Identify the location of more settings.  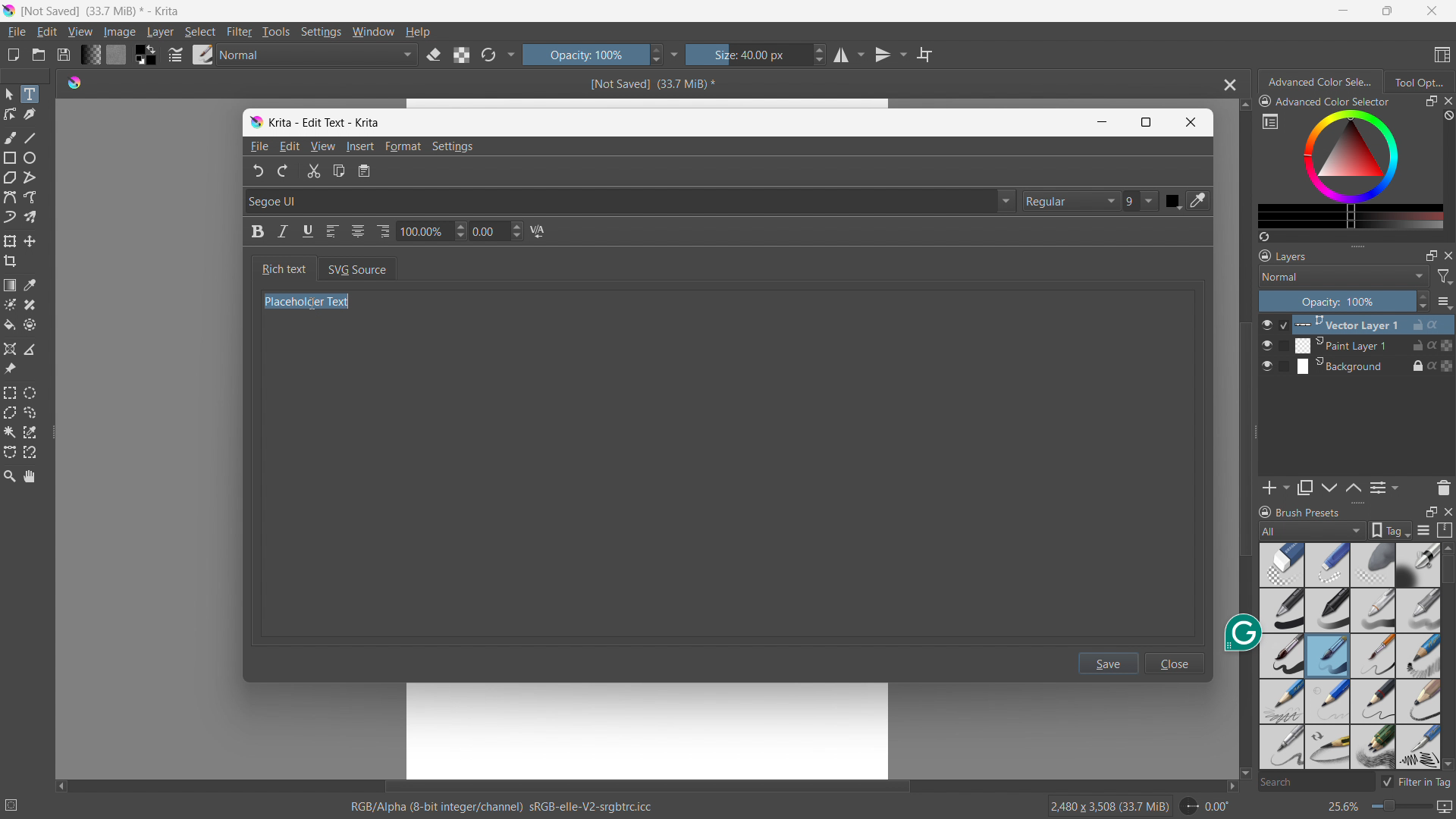
(512, 53).